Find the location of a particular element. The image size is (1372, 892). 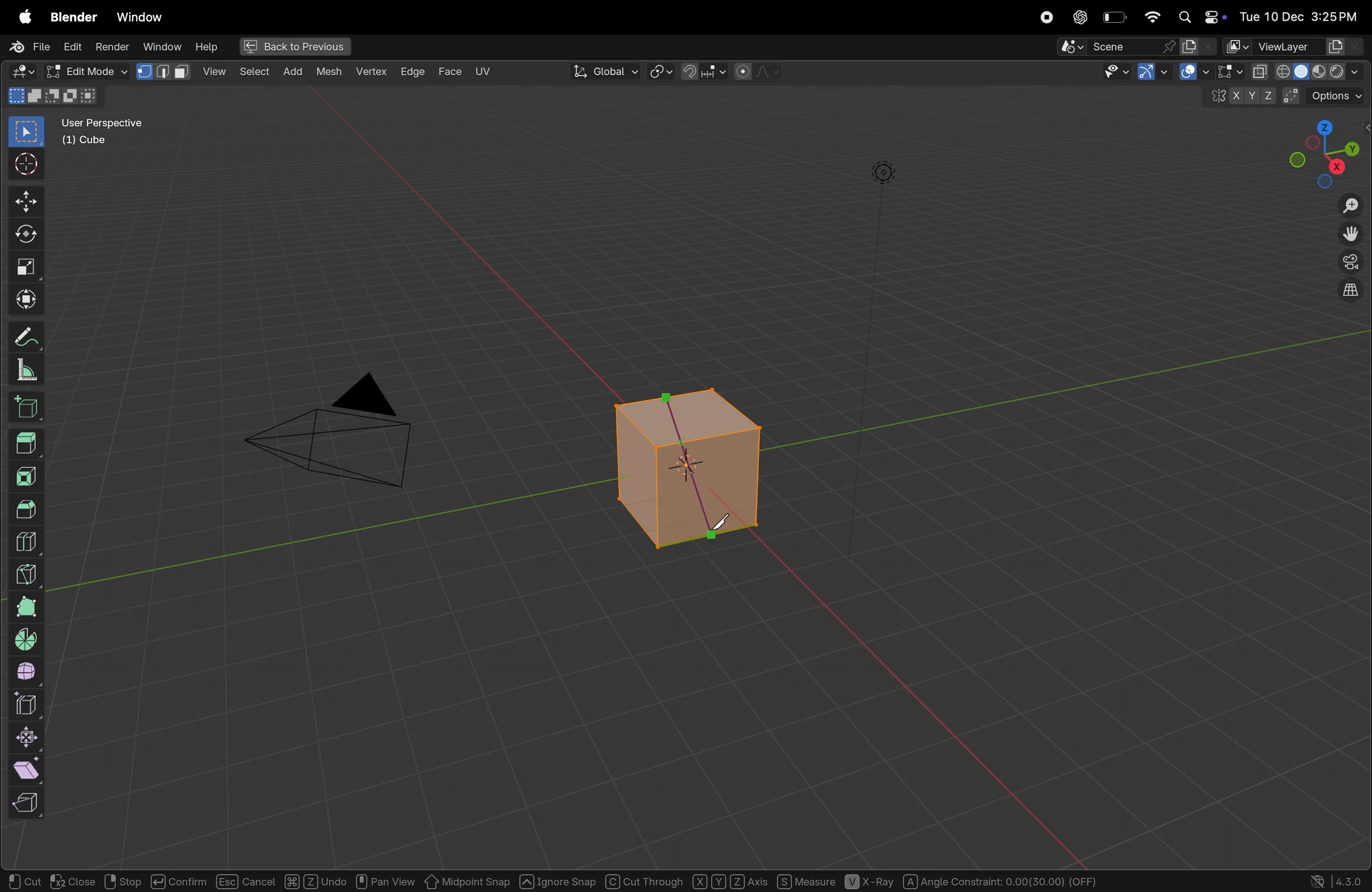

render is located at coordinates (114, 46).